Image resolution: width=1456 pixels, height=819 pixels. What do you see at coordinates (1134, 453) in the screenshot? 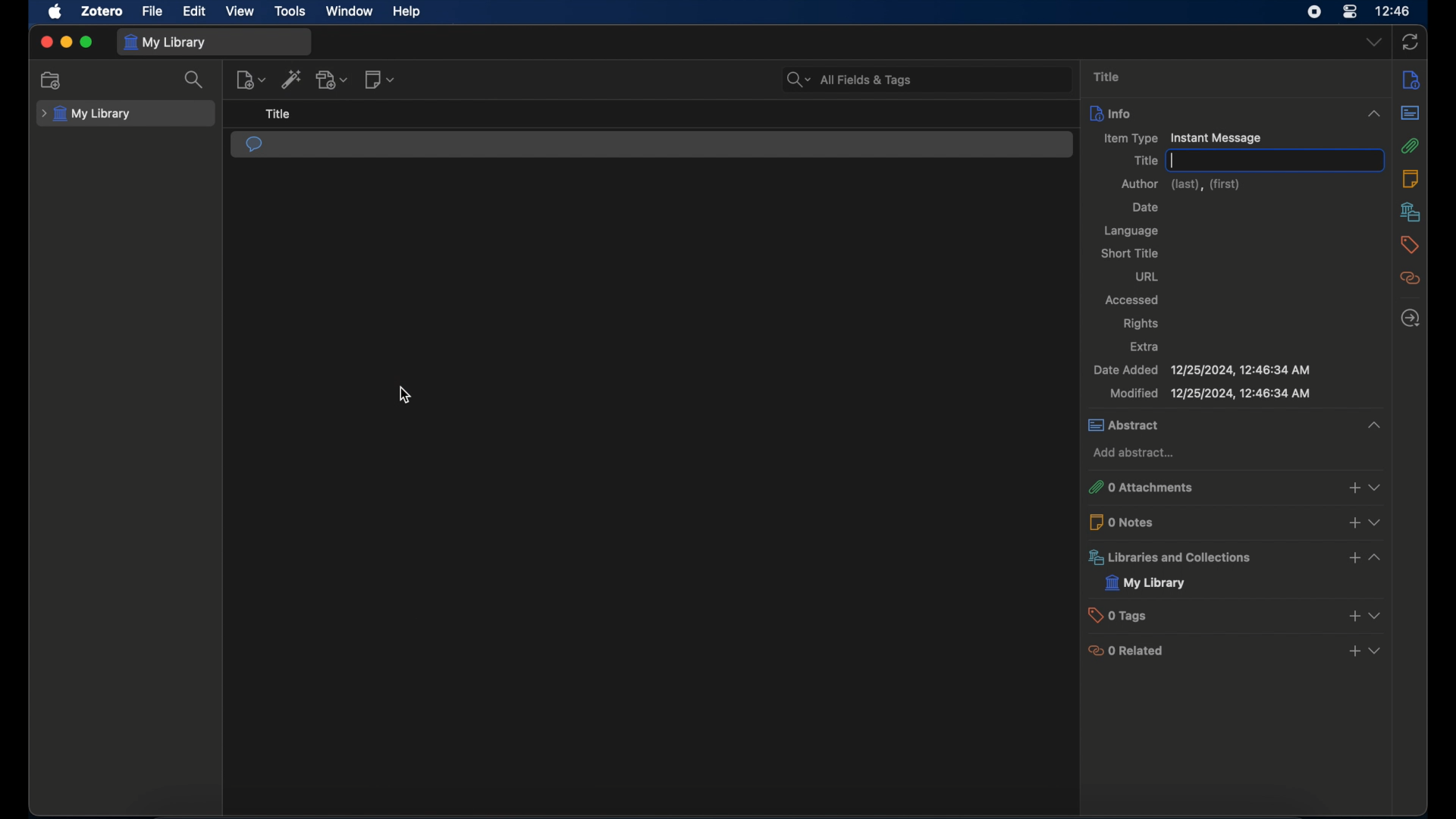
I see `add abstract` at bounding box center [1134, 453].